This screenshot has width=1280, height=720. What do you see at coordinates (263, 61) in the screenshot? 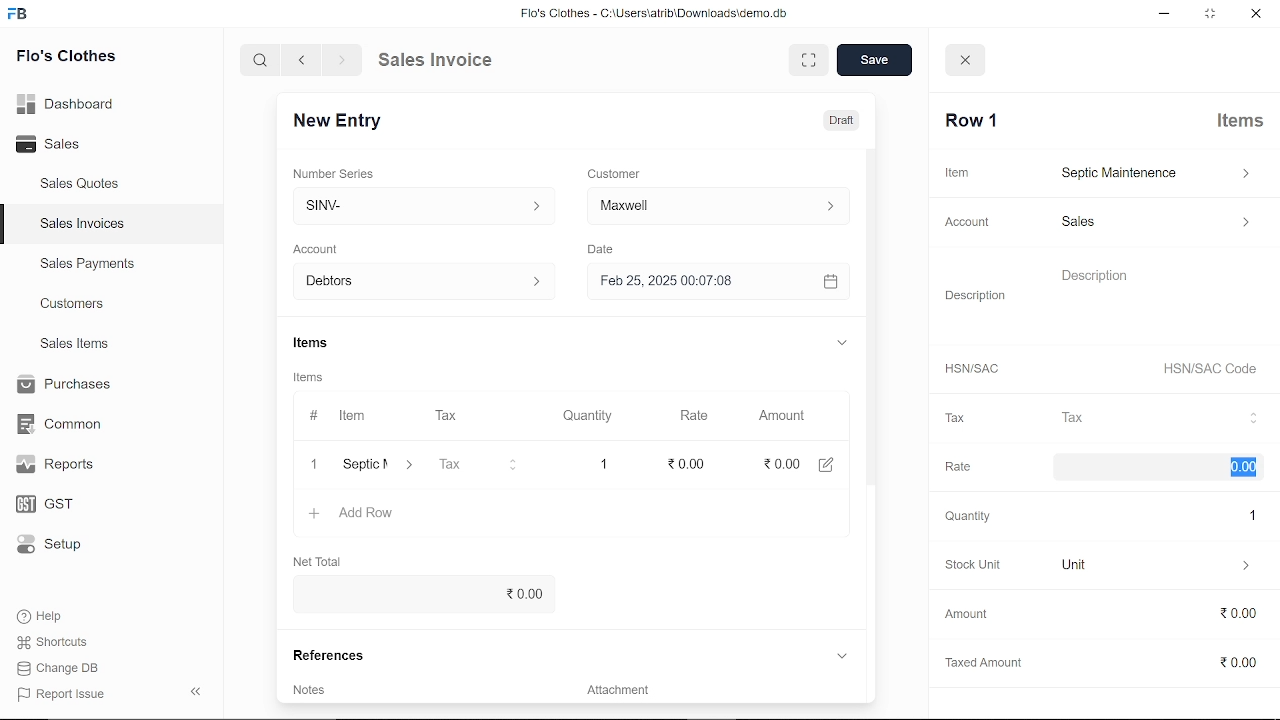
I see `search` at bounding box center [263, 61].